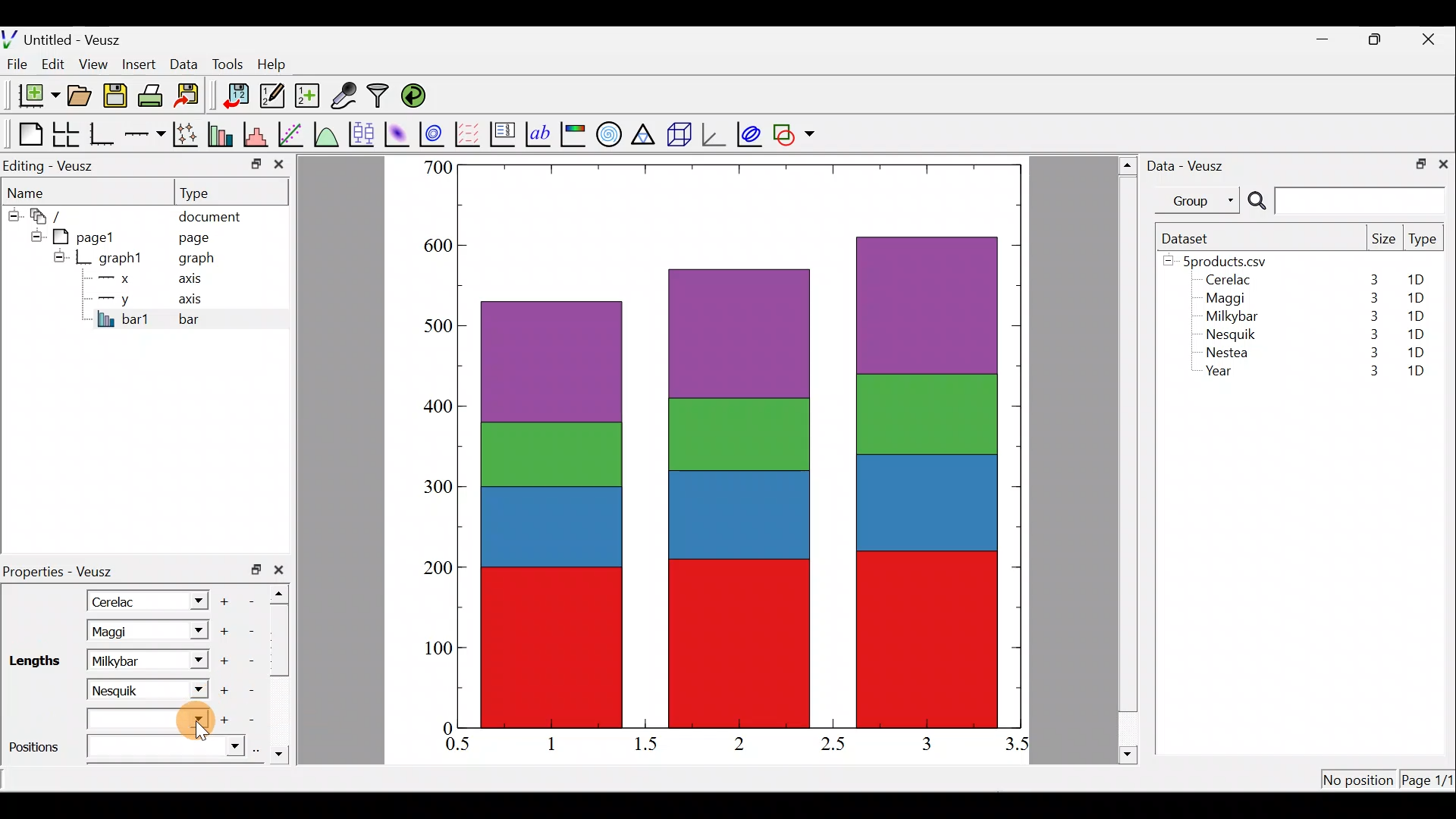  Describe the element at coordinates (65, 134) in the screenshot. I see `Arrange graphs in a grid` at that location.